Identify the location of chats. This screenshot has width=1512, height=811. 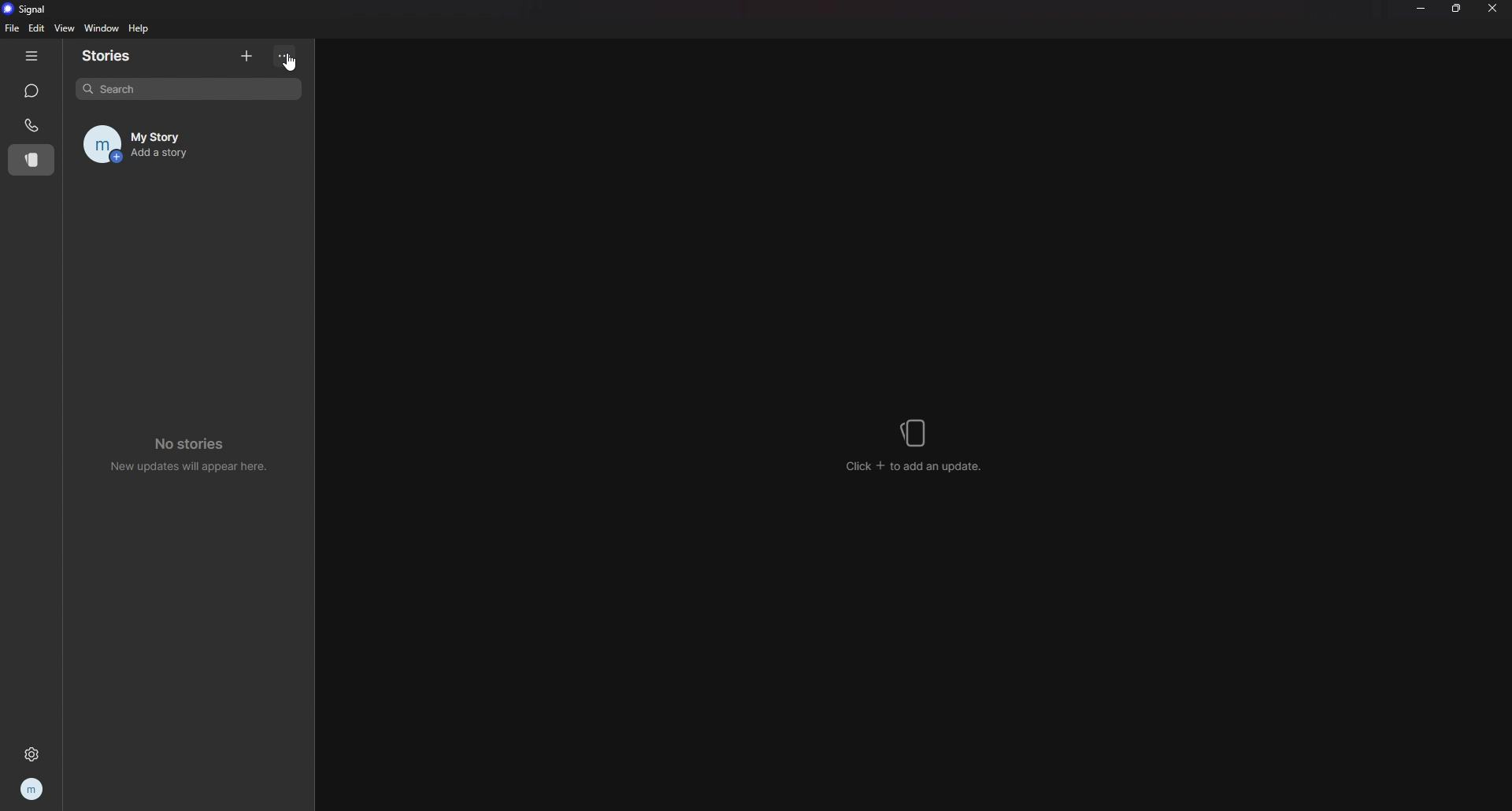
(31, 91).